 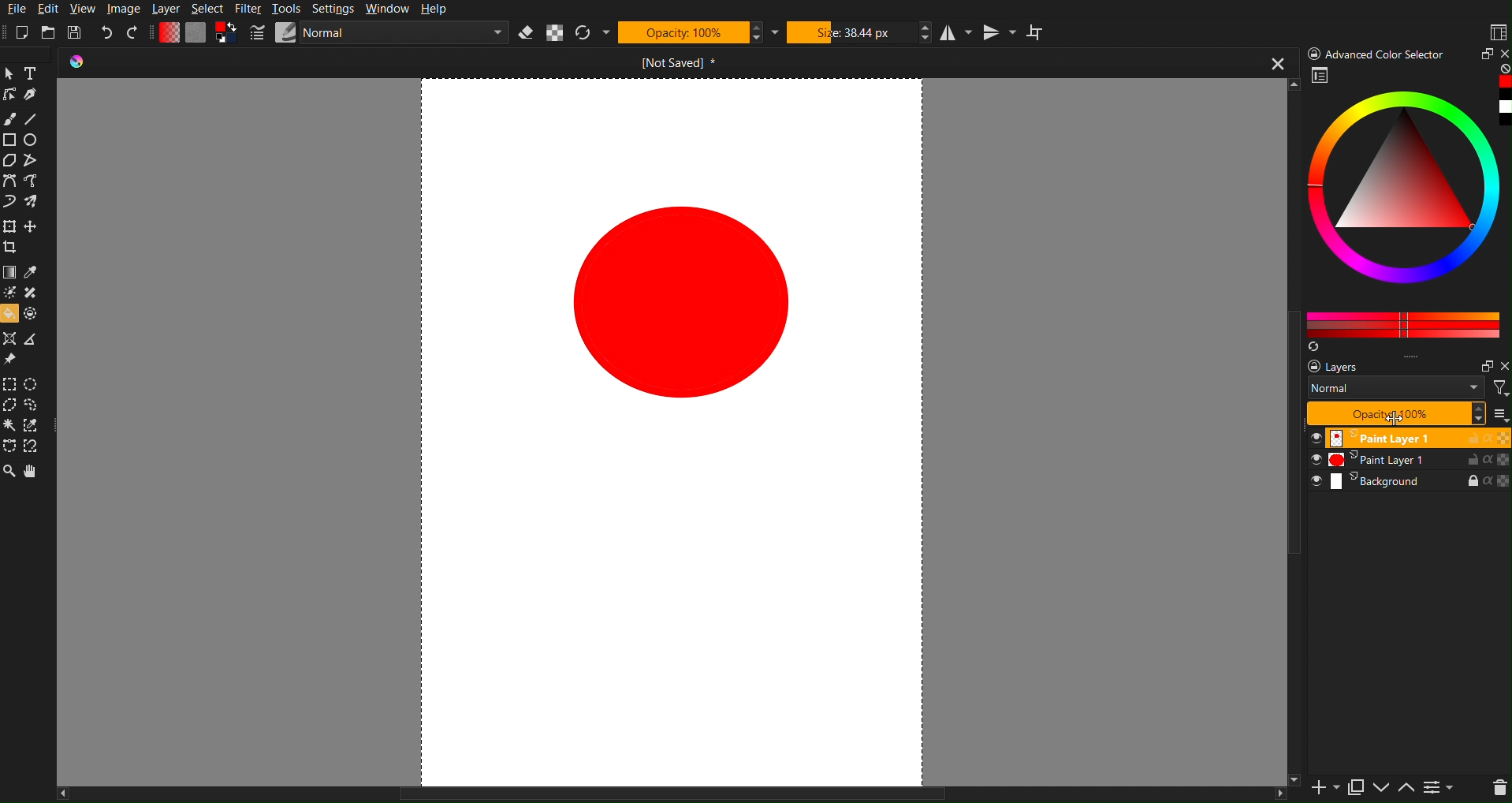 What do you see at coordinates (1394, 422) in the screenshot?
I see `cursor` at bounding box center [1394, 422].